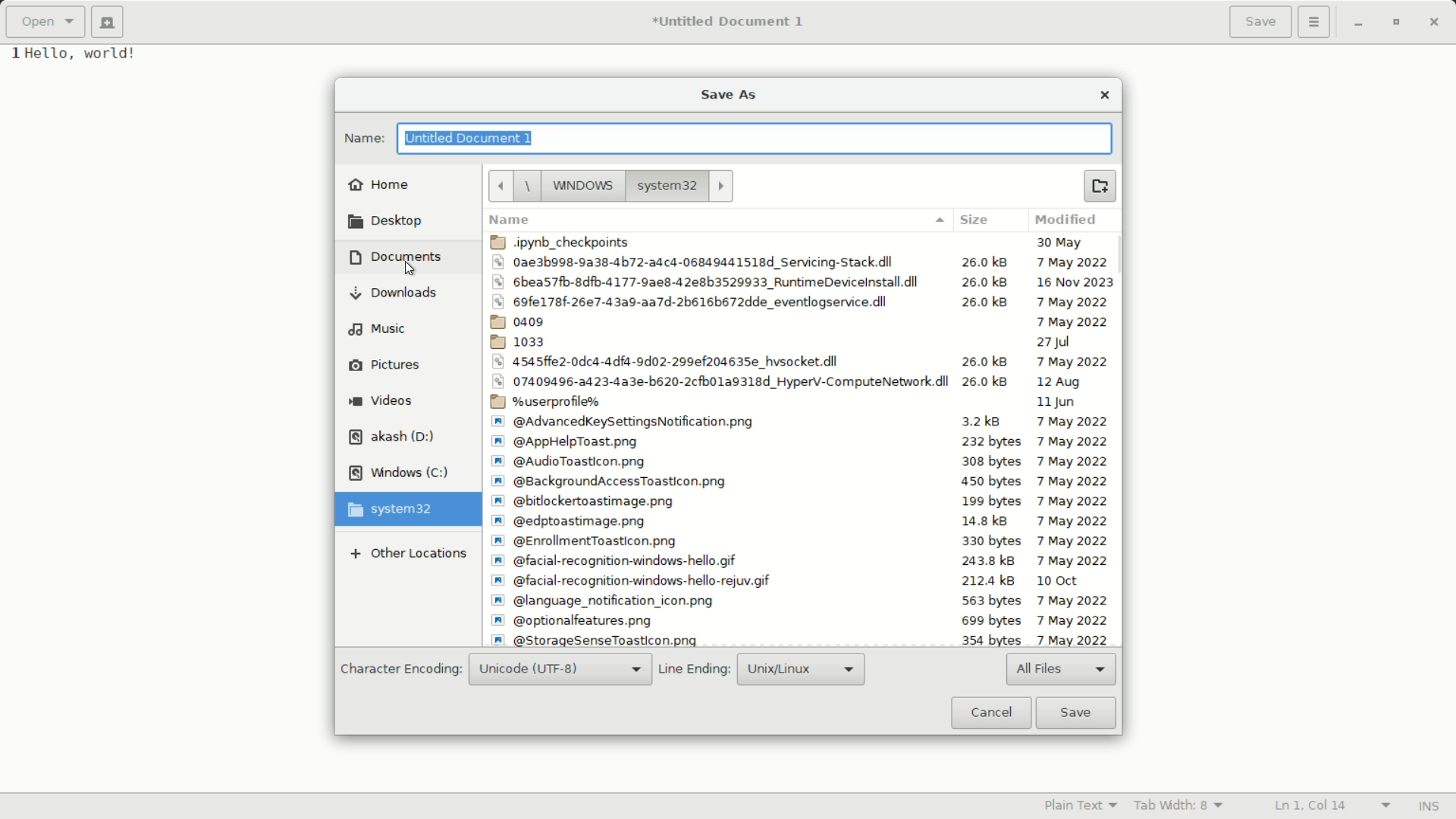 The width and height of the screenshot is (1456, 819). Describe the element at coordinates (108, 23) in the screenshot. I see `new document` at that location.